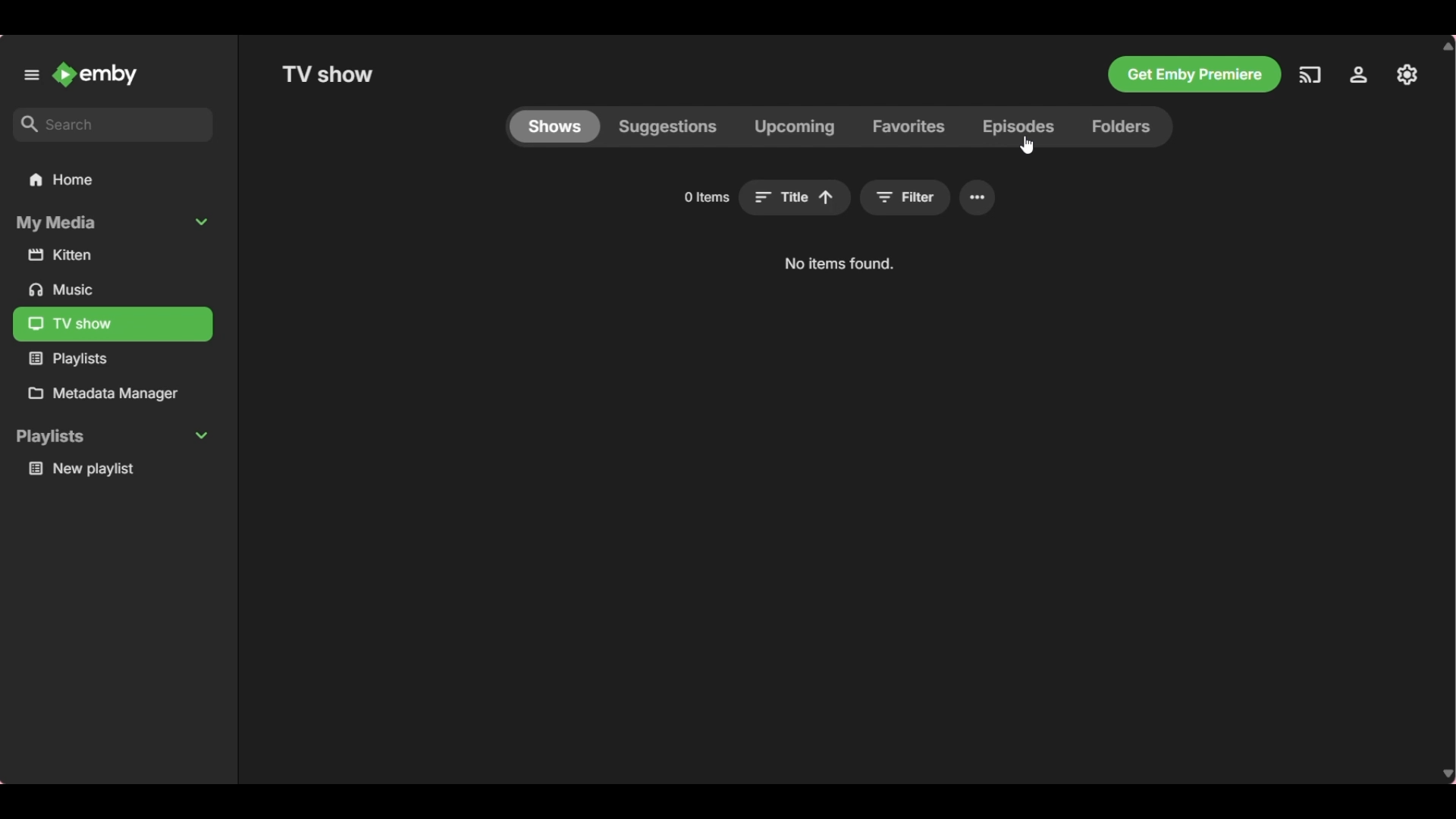  I want to click on Manage Emby server, so click(1407, 75).